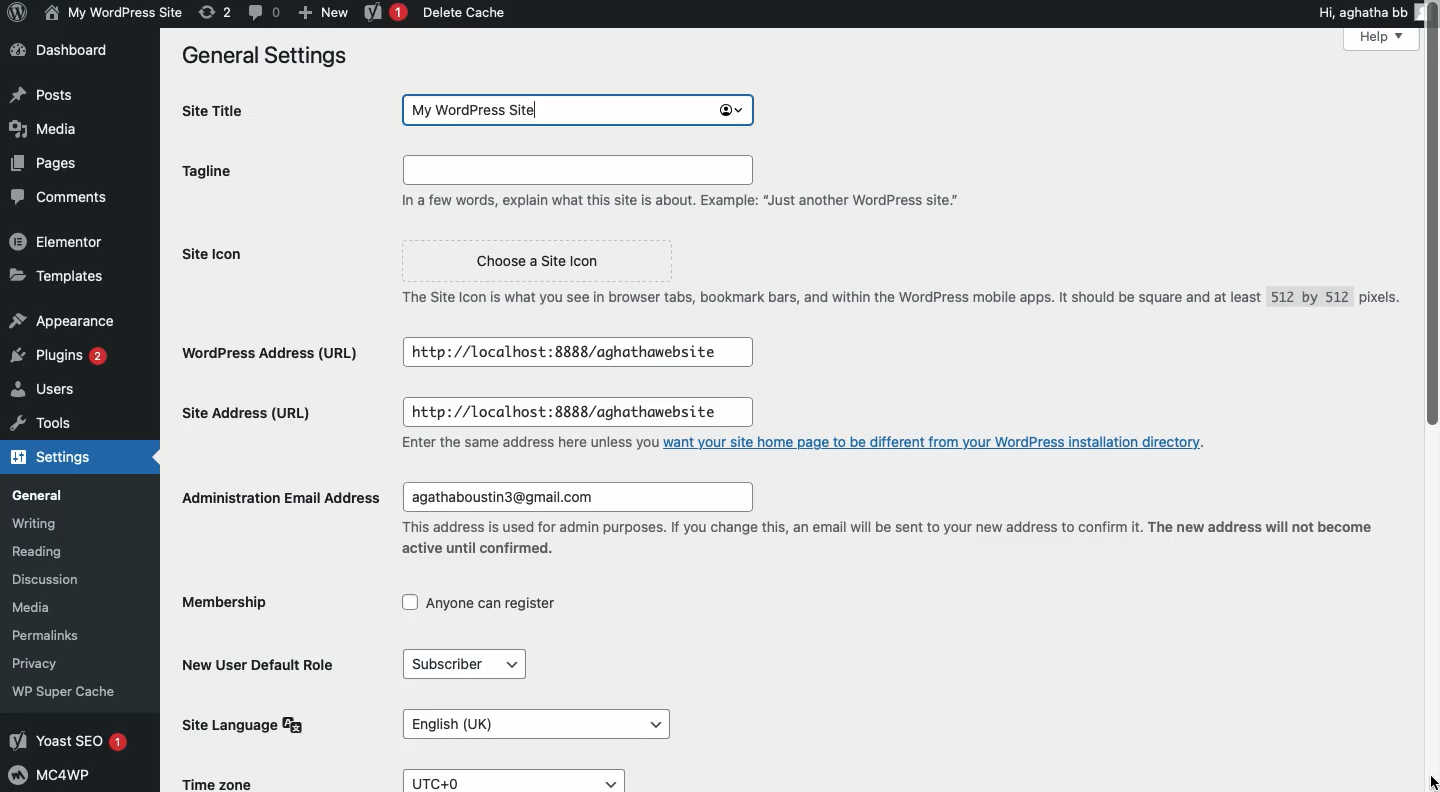 This screenshot has height=792, width=1440. What do you see at coordinates (60, 277) in the screenshot?
I see `Templates` at bounding box center [60, 277].